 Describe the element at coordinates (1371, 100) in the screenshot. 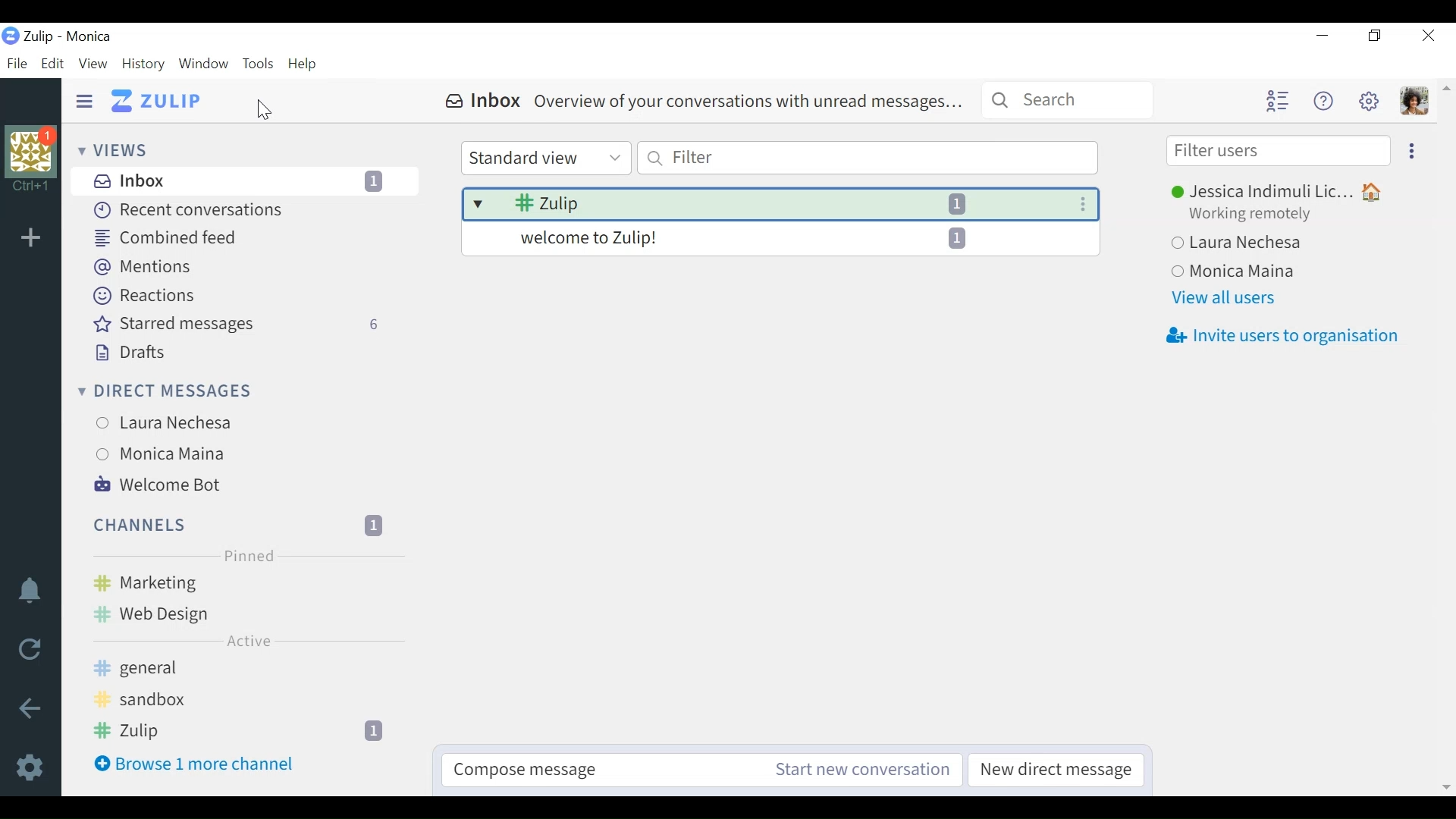

I see `Settings` at that location.